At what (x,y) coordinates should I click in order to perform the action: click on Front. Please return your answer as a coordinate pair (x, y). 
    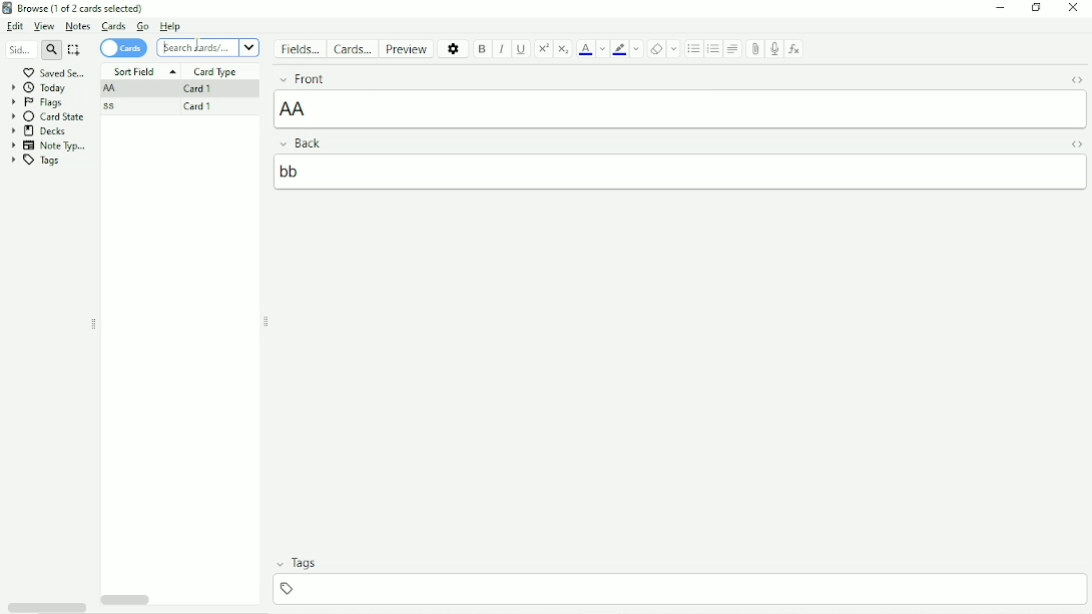
    Looking at the image, I should click on (661, 77).